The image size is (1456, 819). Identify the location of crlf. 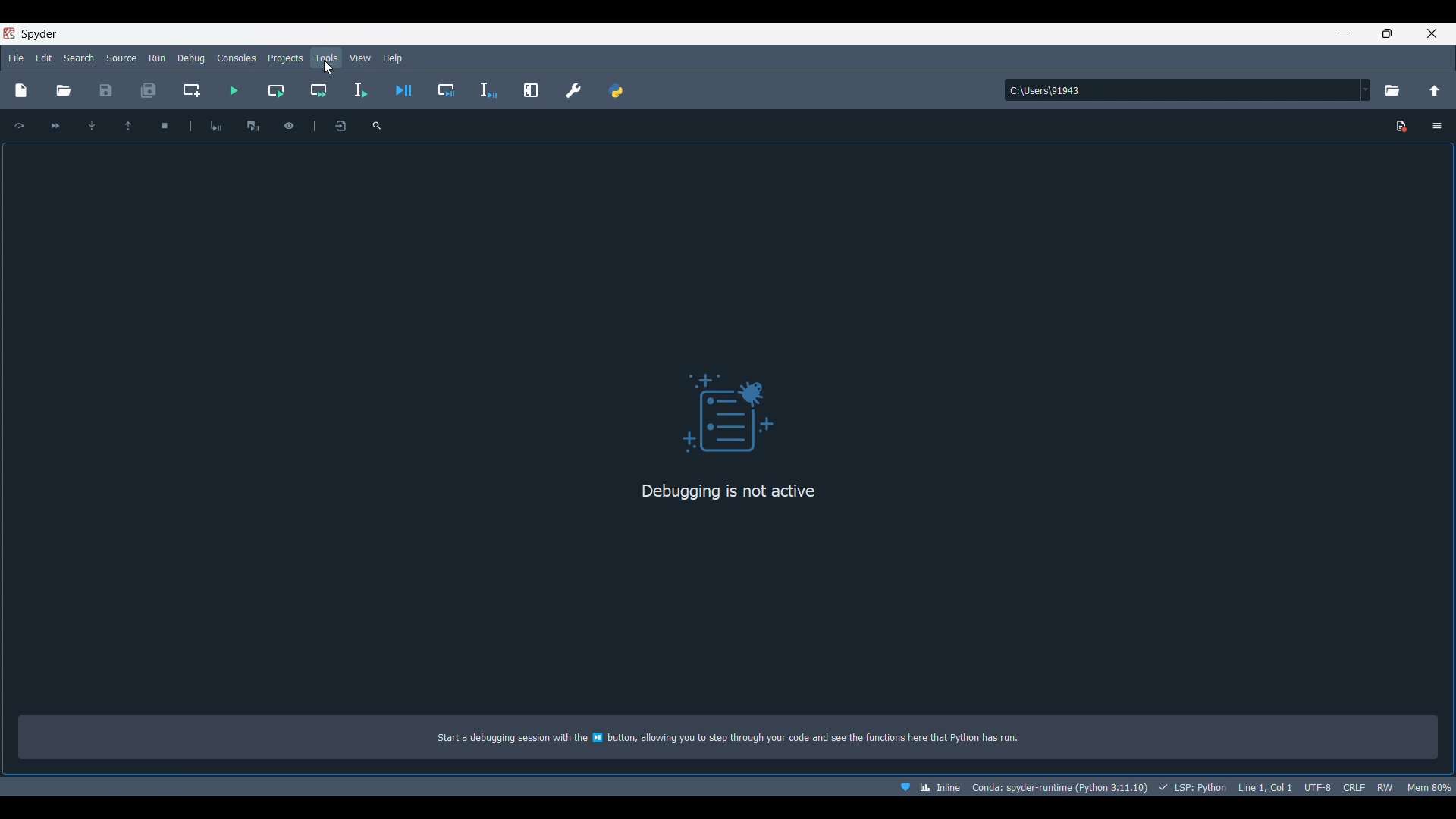
(1353, 787).